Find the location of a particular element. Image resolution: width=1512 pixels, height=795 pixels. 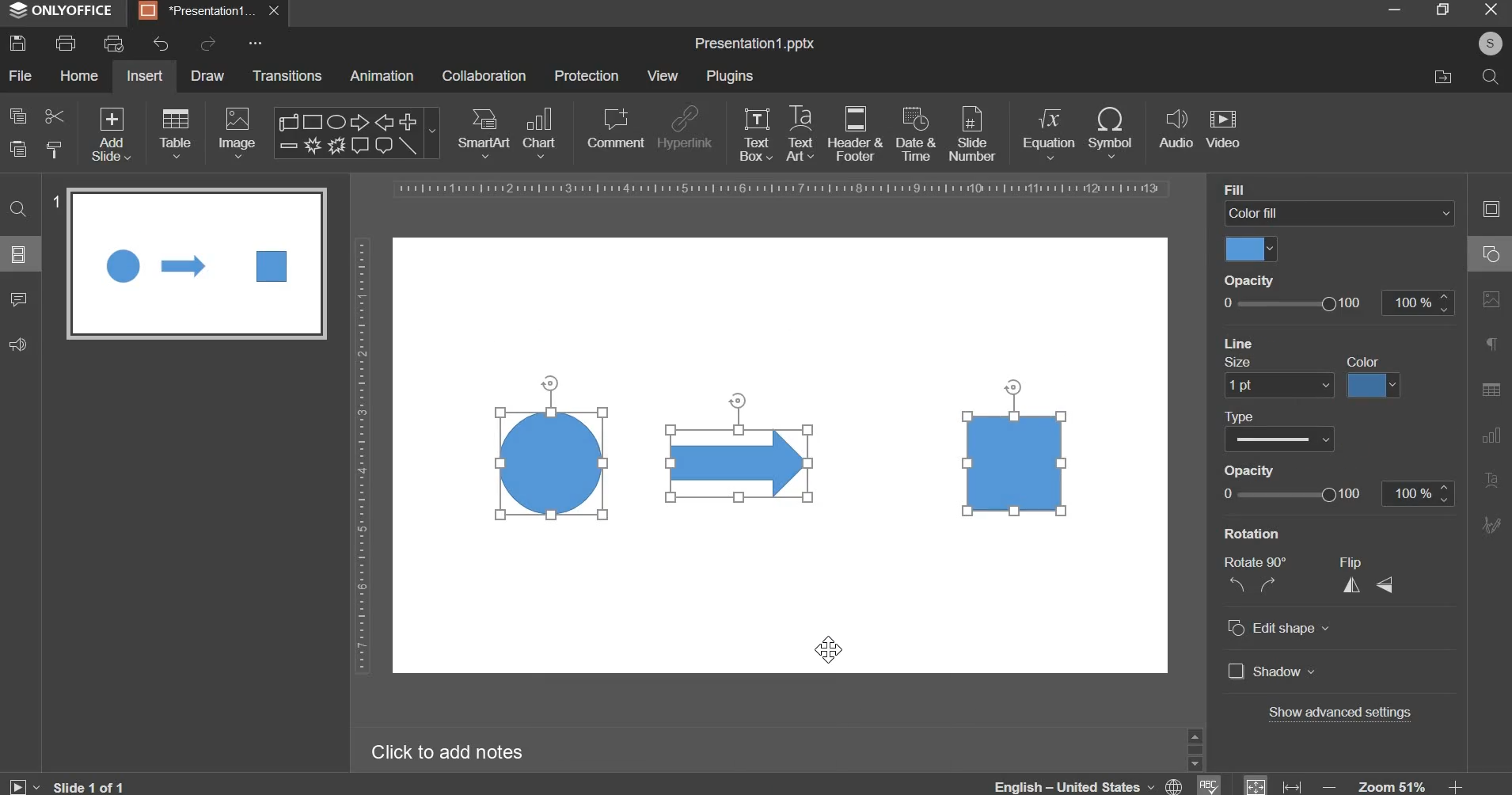

edit shape is located at coordinates (1277, 626).